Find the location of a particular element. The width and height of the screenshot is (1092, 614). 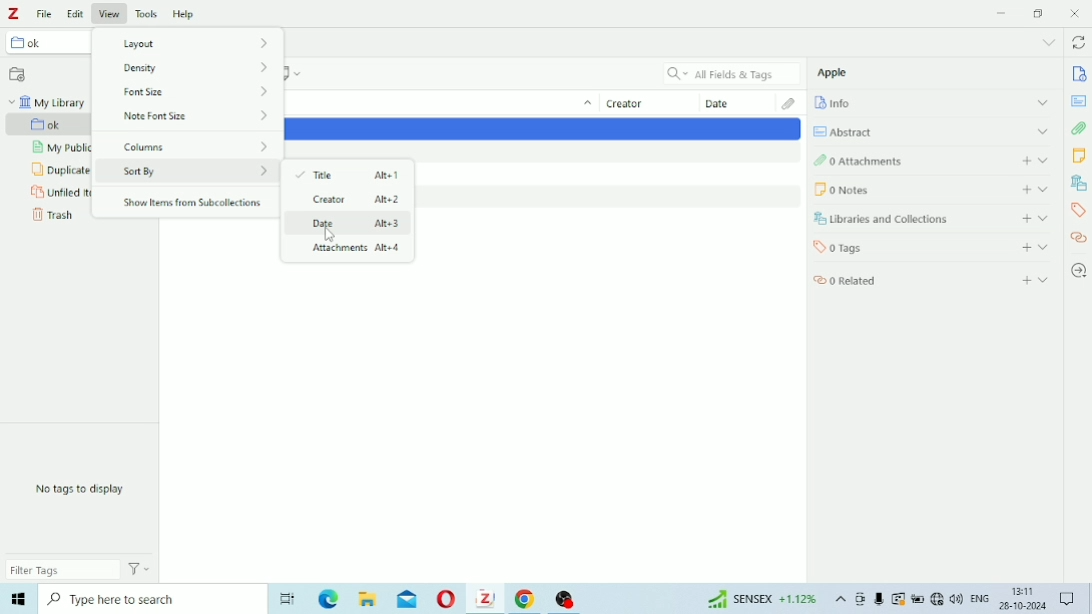

View is located at coordinates (110, 12).